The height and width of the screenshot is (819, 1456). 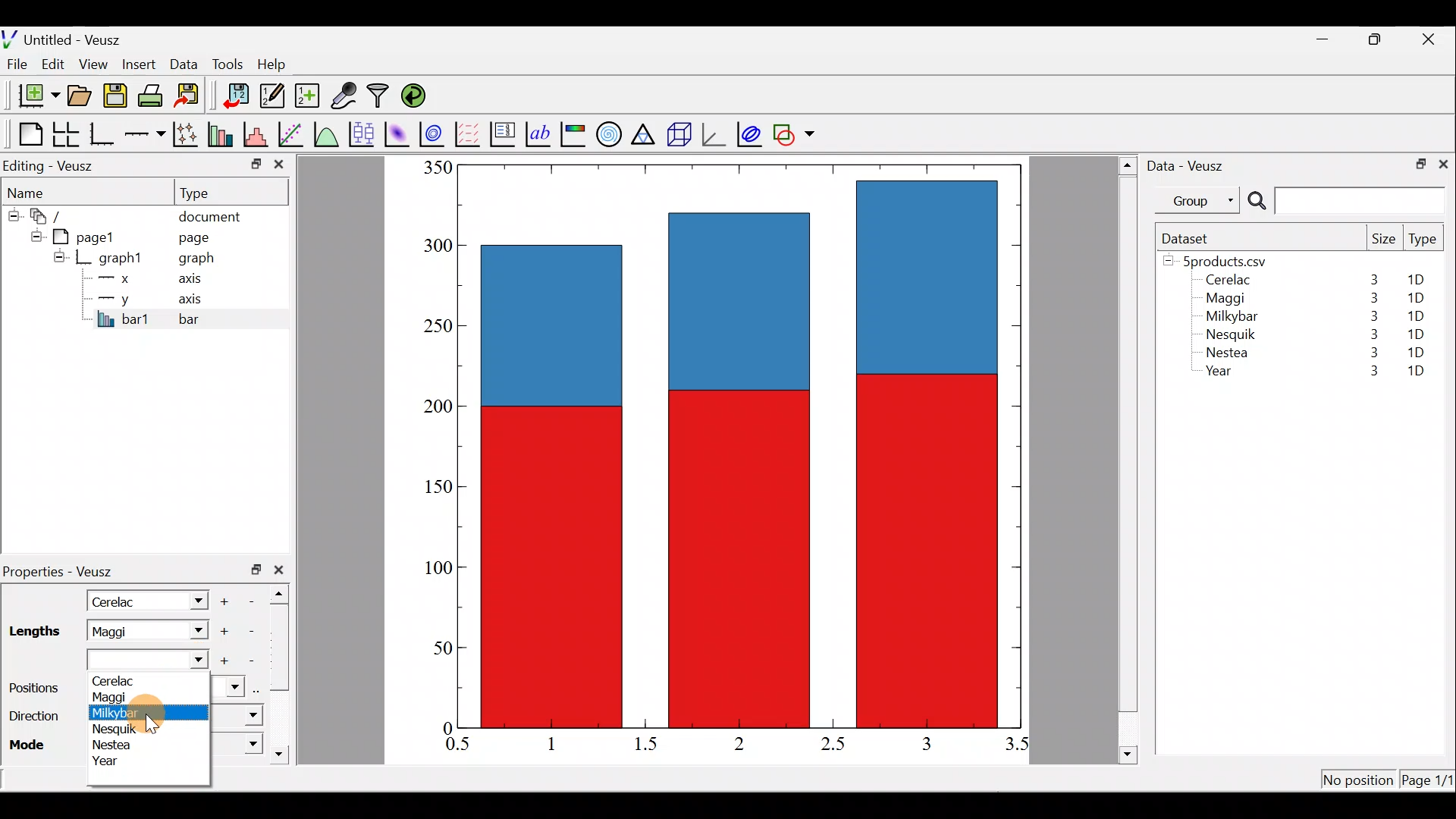 I want to click on Histogram of a dataset, so click(x=260, y=135).